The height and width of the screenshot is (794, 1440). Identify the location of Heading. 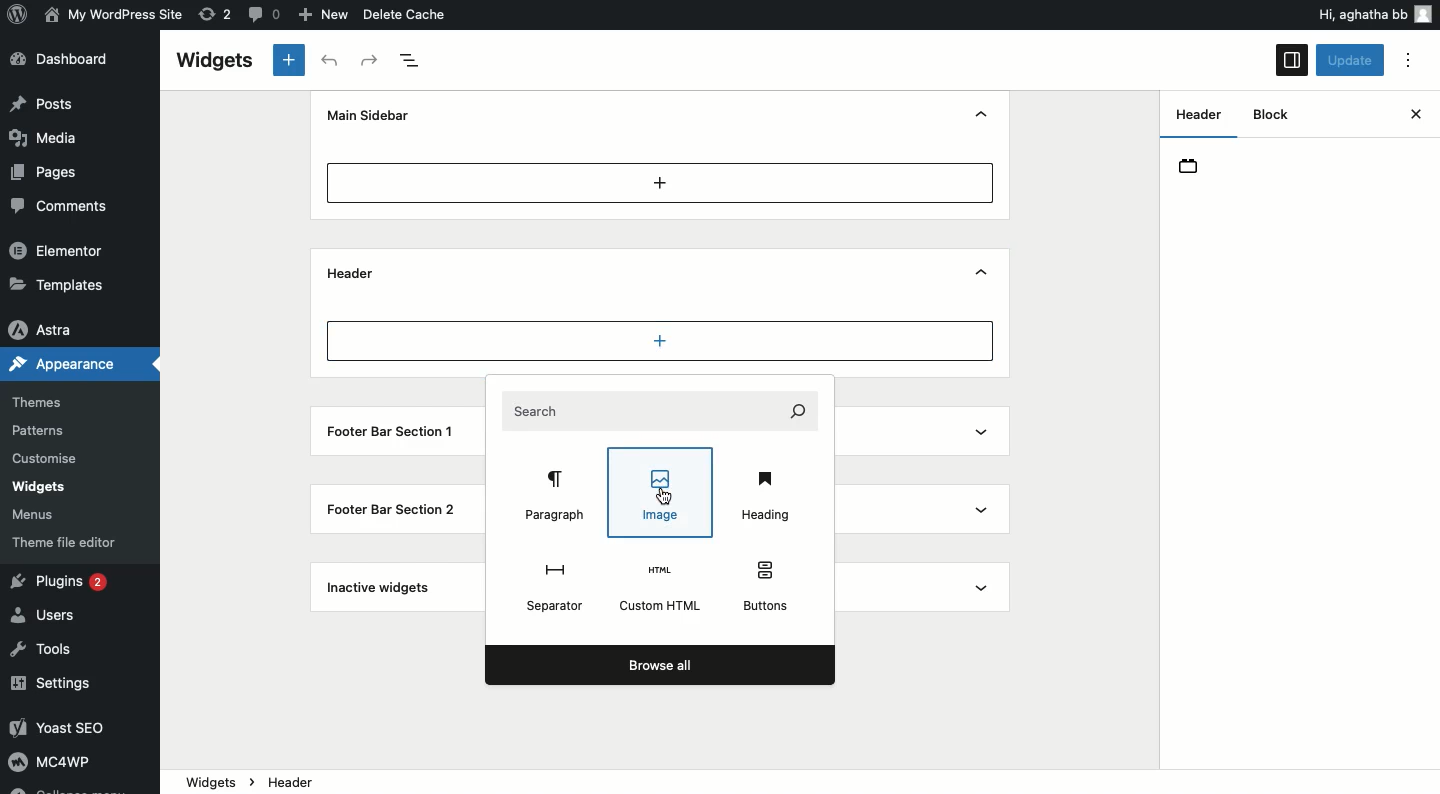
(766, 493).